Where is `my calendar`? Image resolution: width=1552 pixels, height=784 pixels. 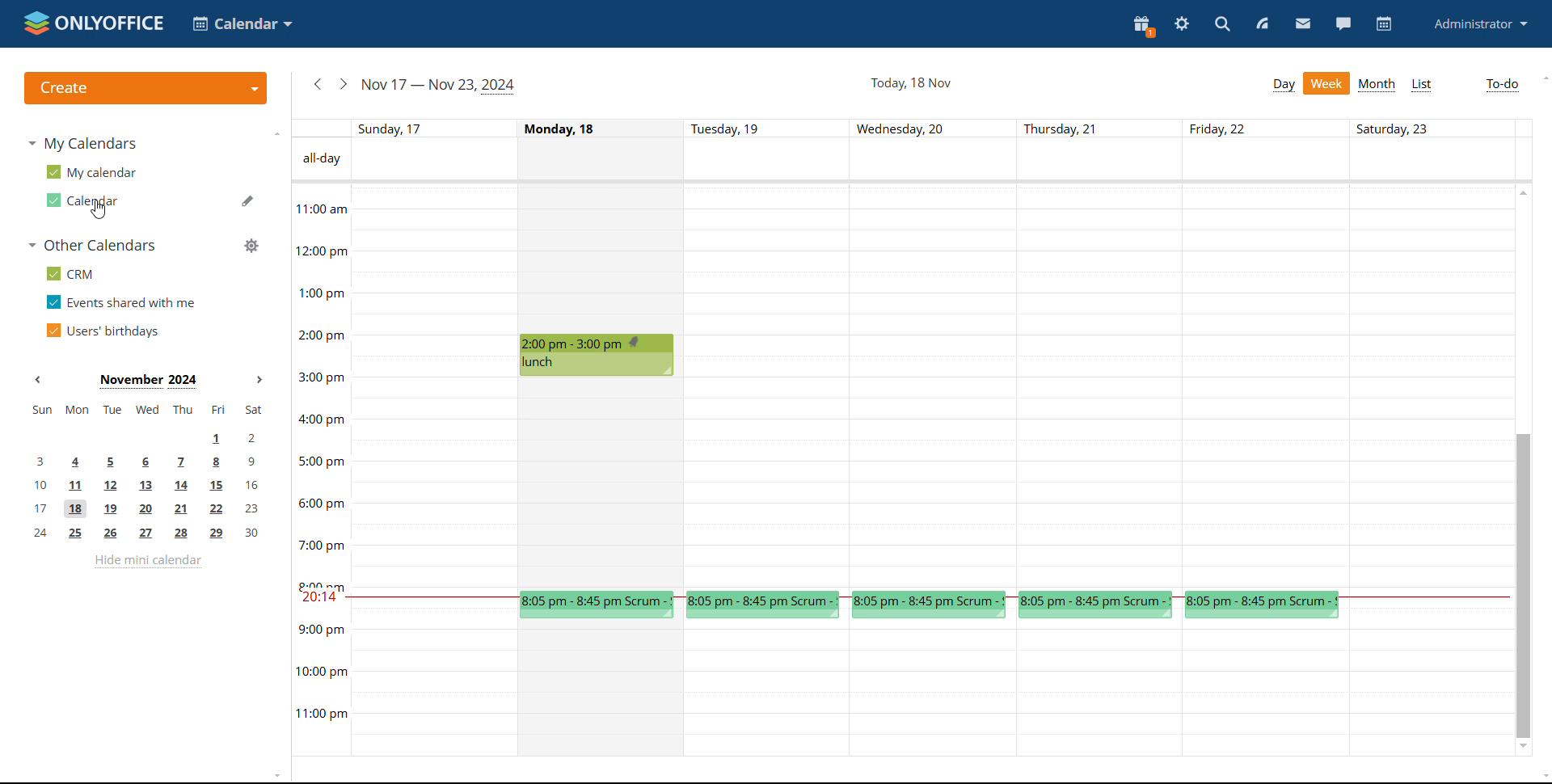
my calendar is located at coordinates (93, 171).